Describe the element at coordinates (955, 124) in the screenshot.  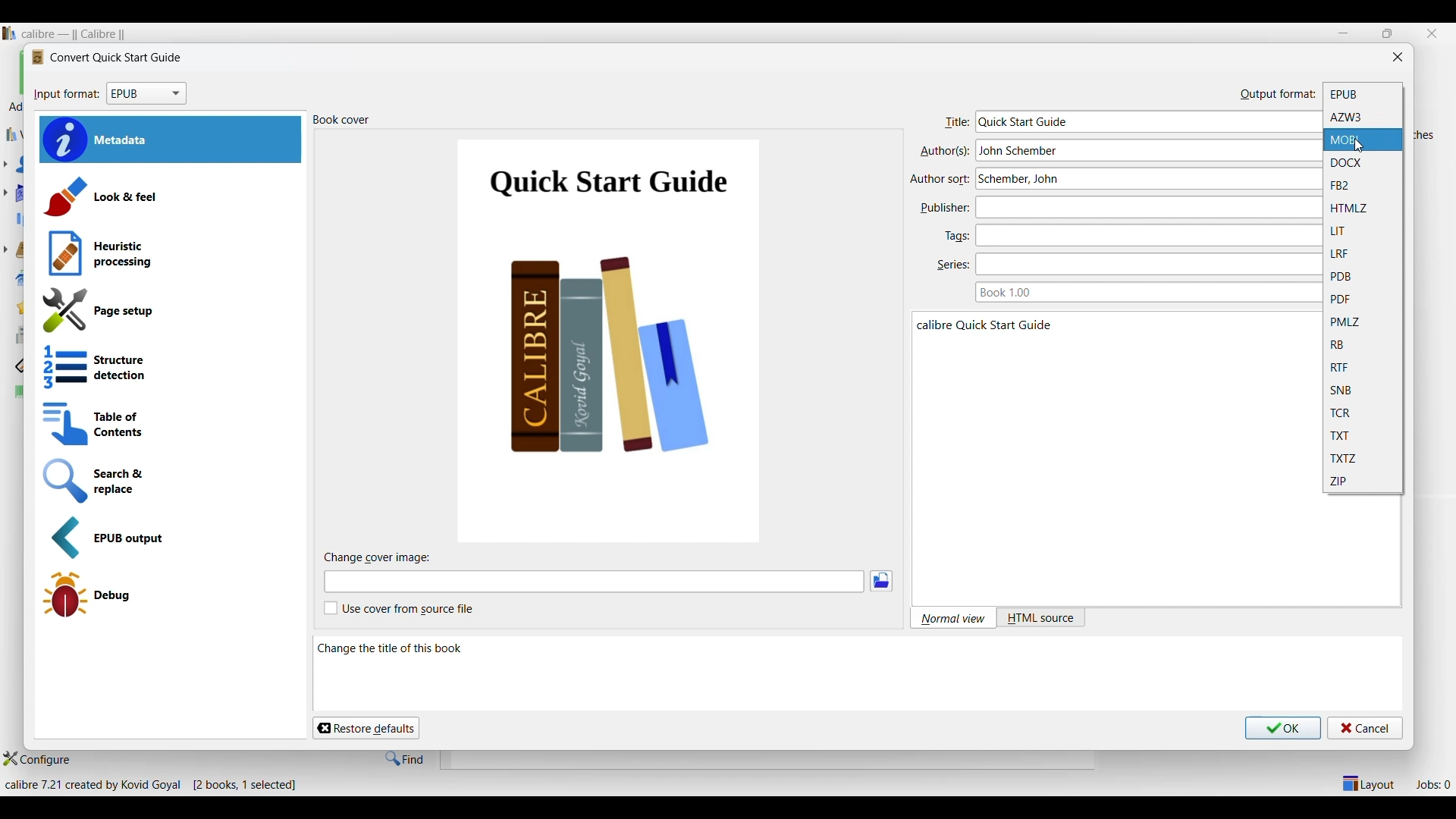
I see `title` at that location.